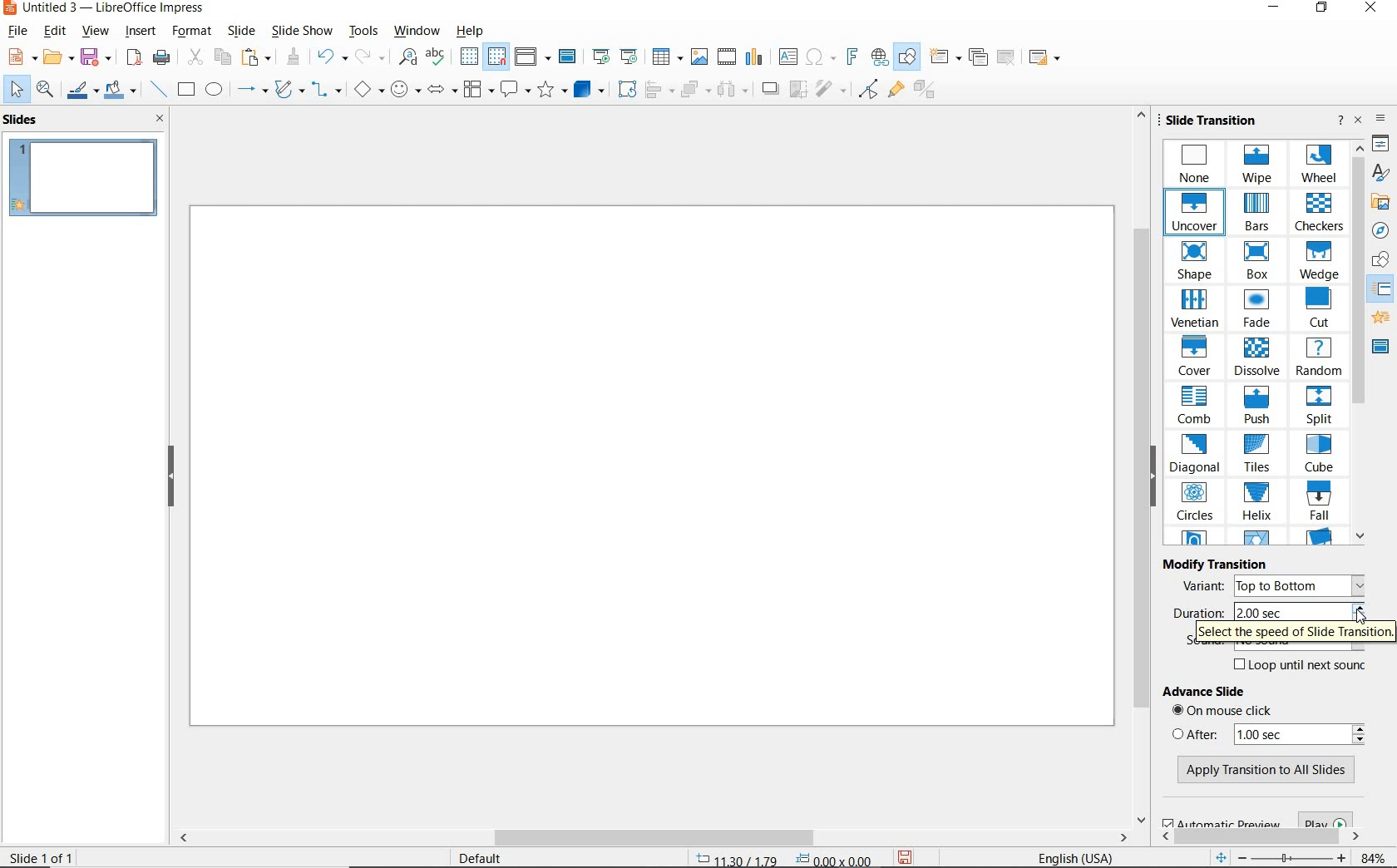 This screenshot has height=868, width=1397. I want to click on HIDE, so click(171, 476).